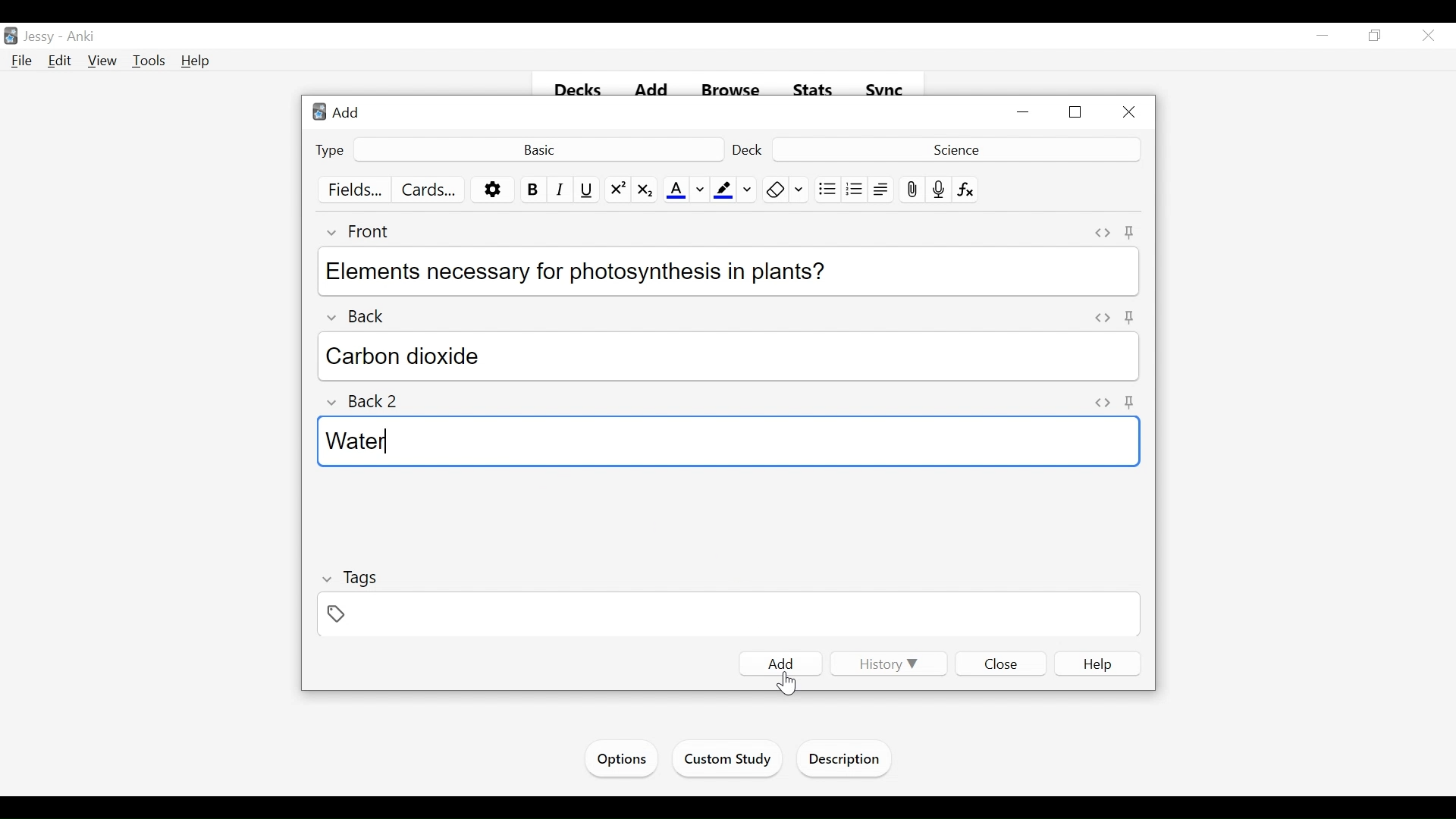  Describe the element at coordinates (786, 679) in the screenshot. I see `Cursor` at that location.